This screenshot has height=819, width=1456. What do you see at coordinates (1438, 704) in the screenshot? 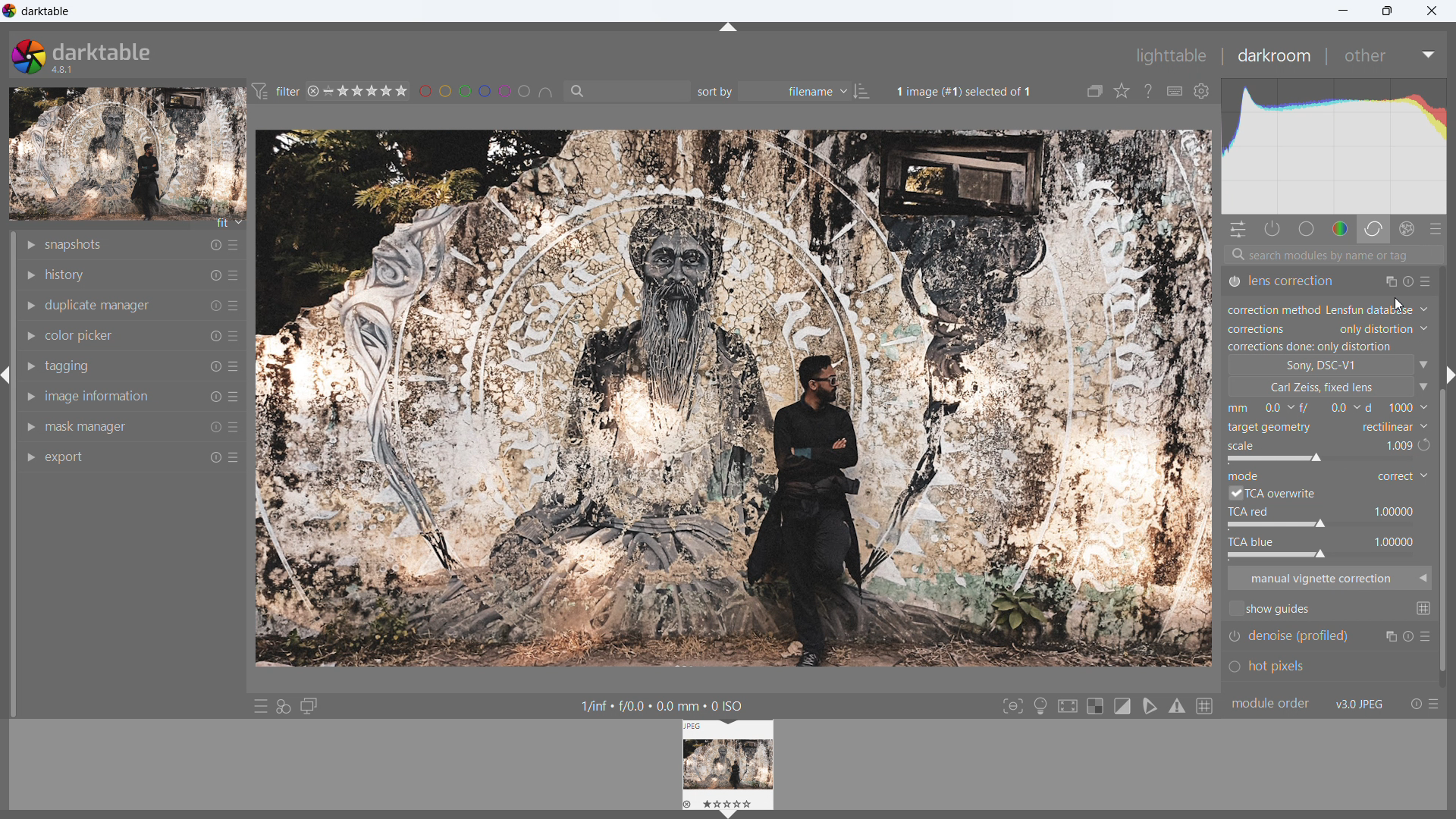
I see `presets` at bounding box center [1438, 704].